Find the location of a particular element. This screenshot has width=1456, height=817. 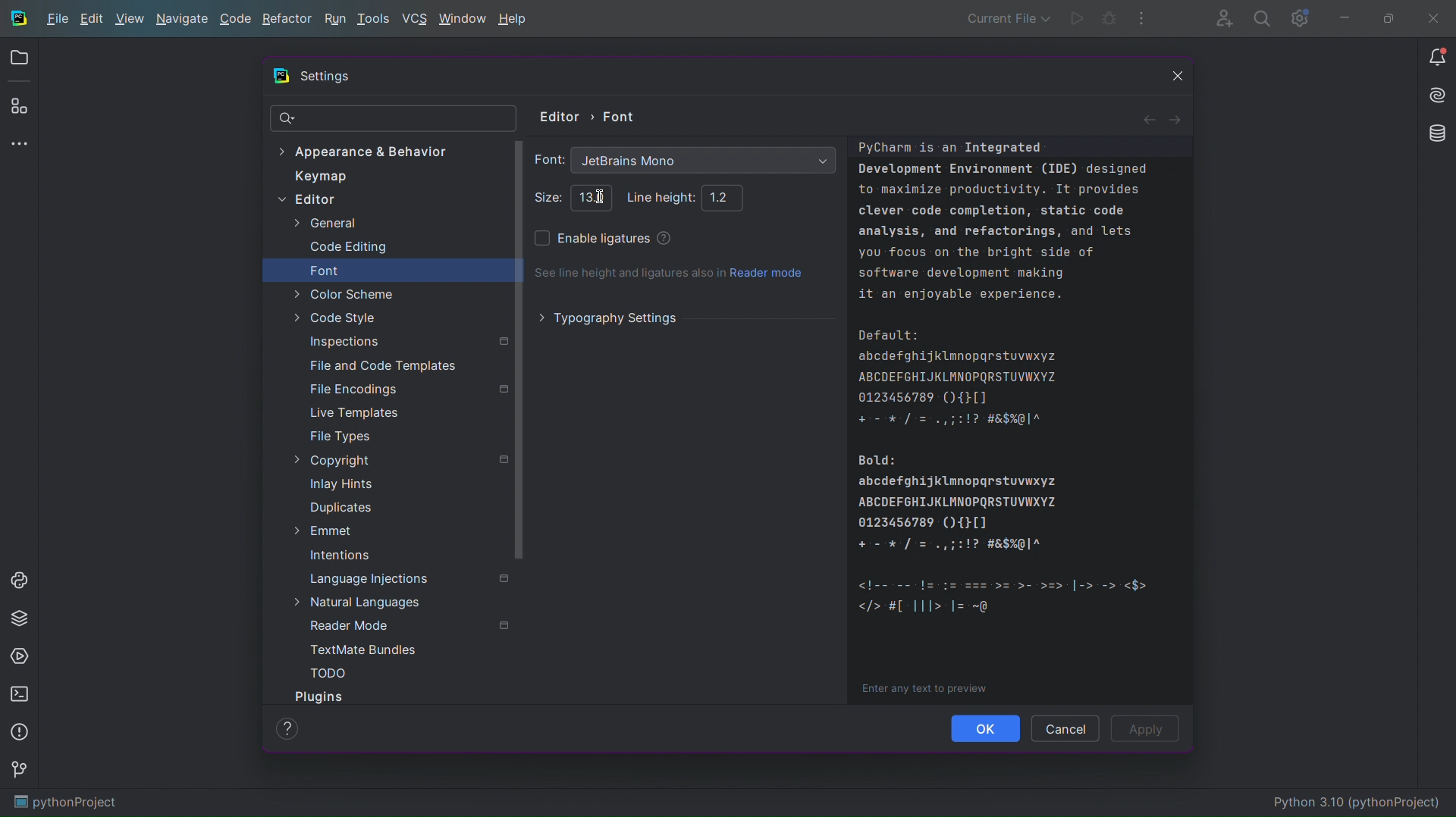

size is located at coordinates (547, 197).